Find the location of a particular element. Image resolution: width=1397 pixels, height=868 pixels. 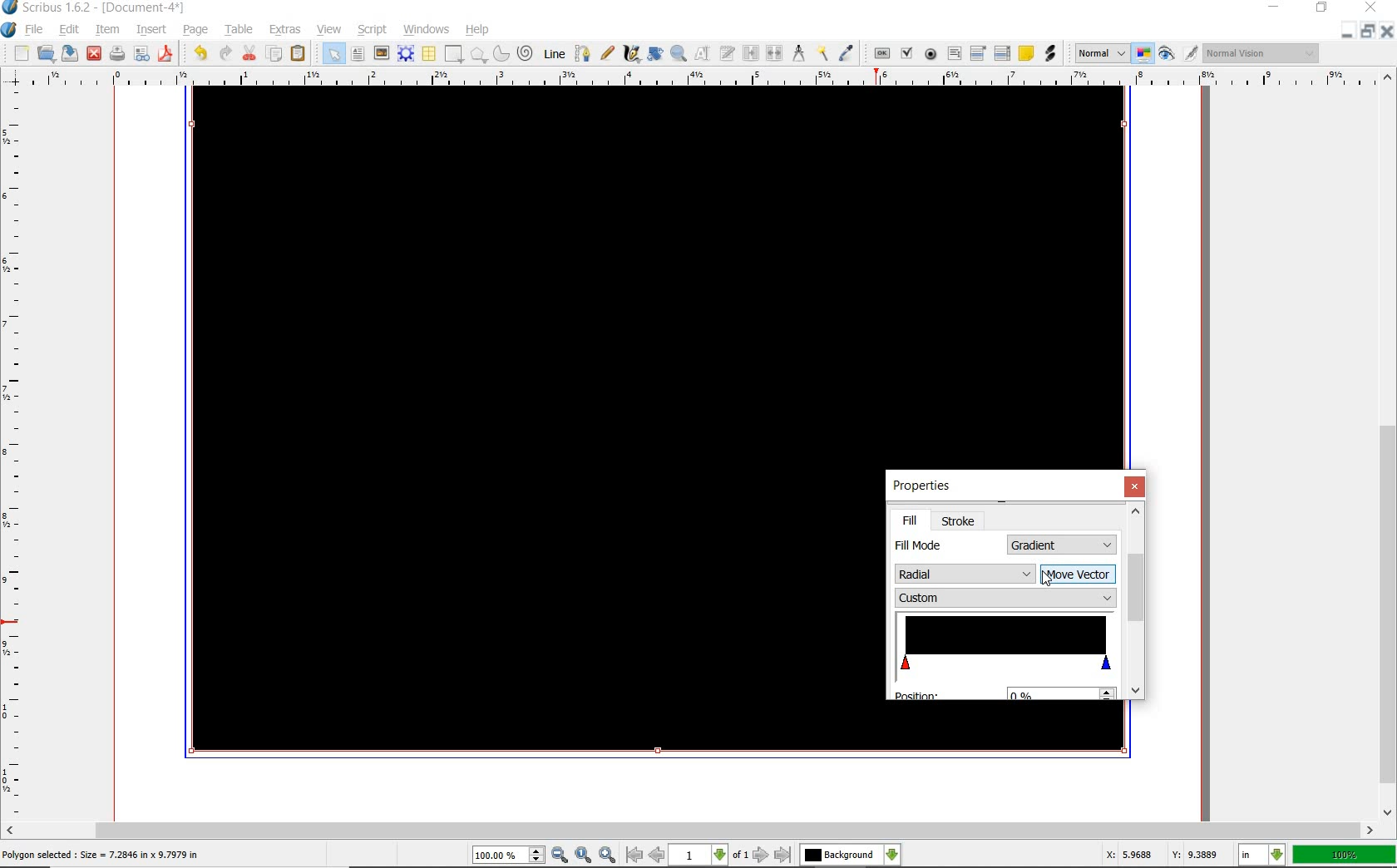

line is located at coordinates (554, 54).